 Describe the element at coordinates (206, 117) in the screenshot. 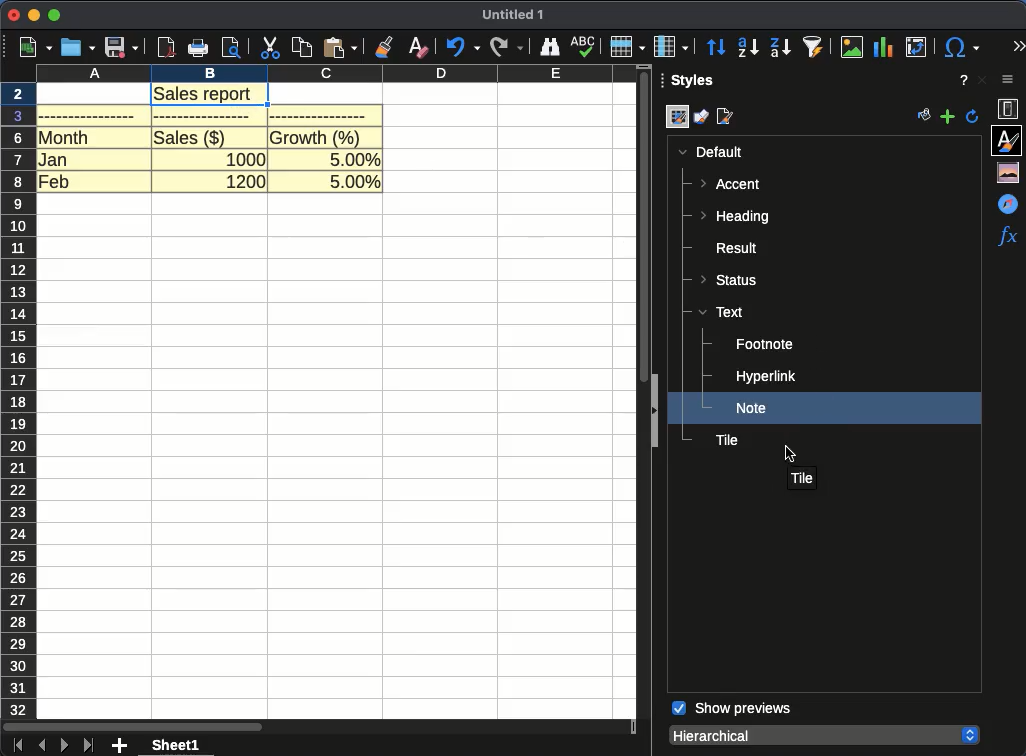

I see `blank` at that location.